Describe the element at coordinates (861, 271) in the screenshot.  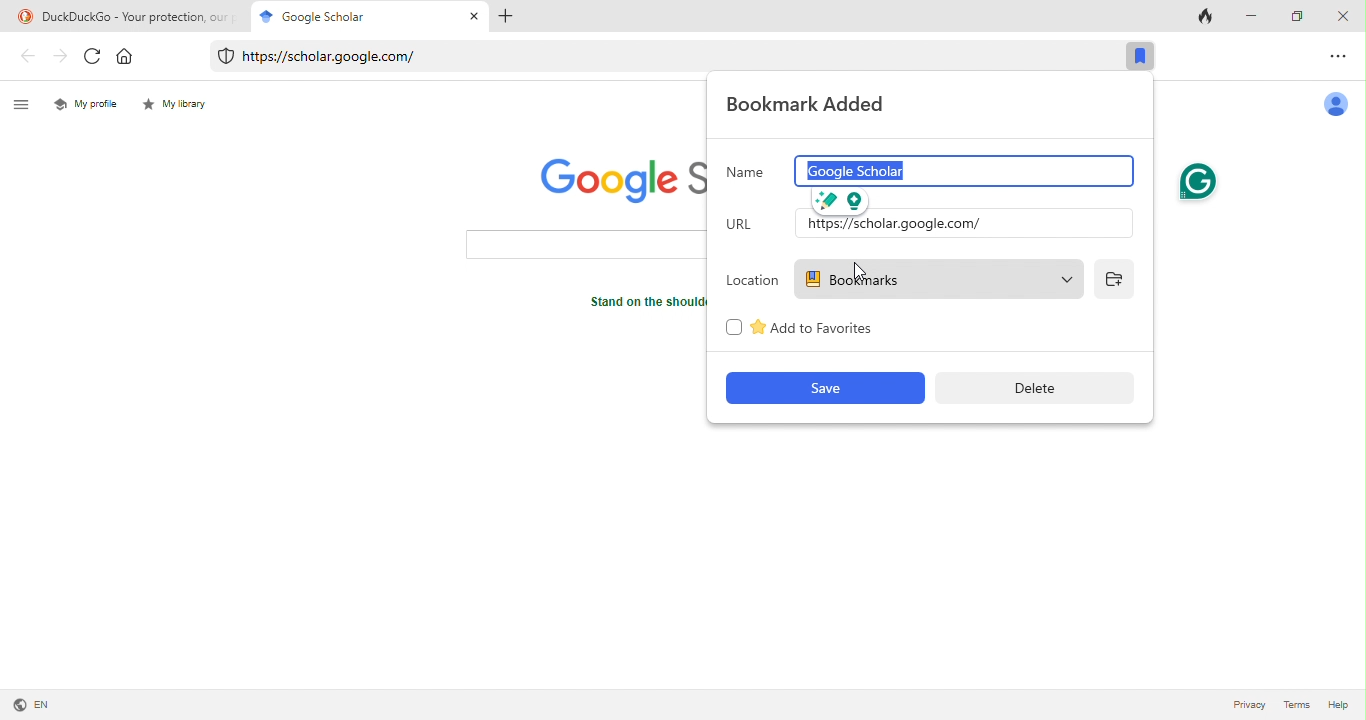
I see `cursor movement` at that location.